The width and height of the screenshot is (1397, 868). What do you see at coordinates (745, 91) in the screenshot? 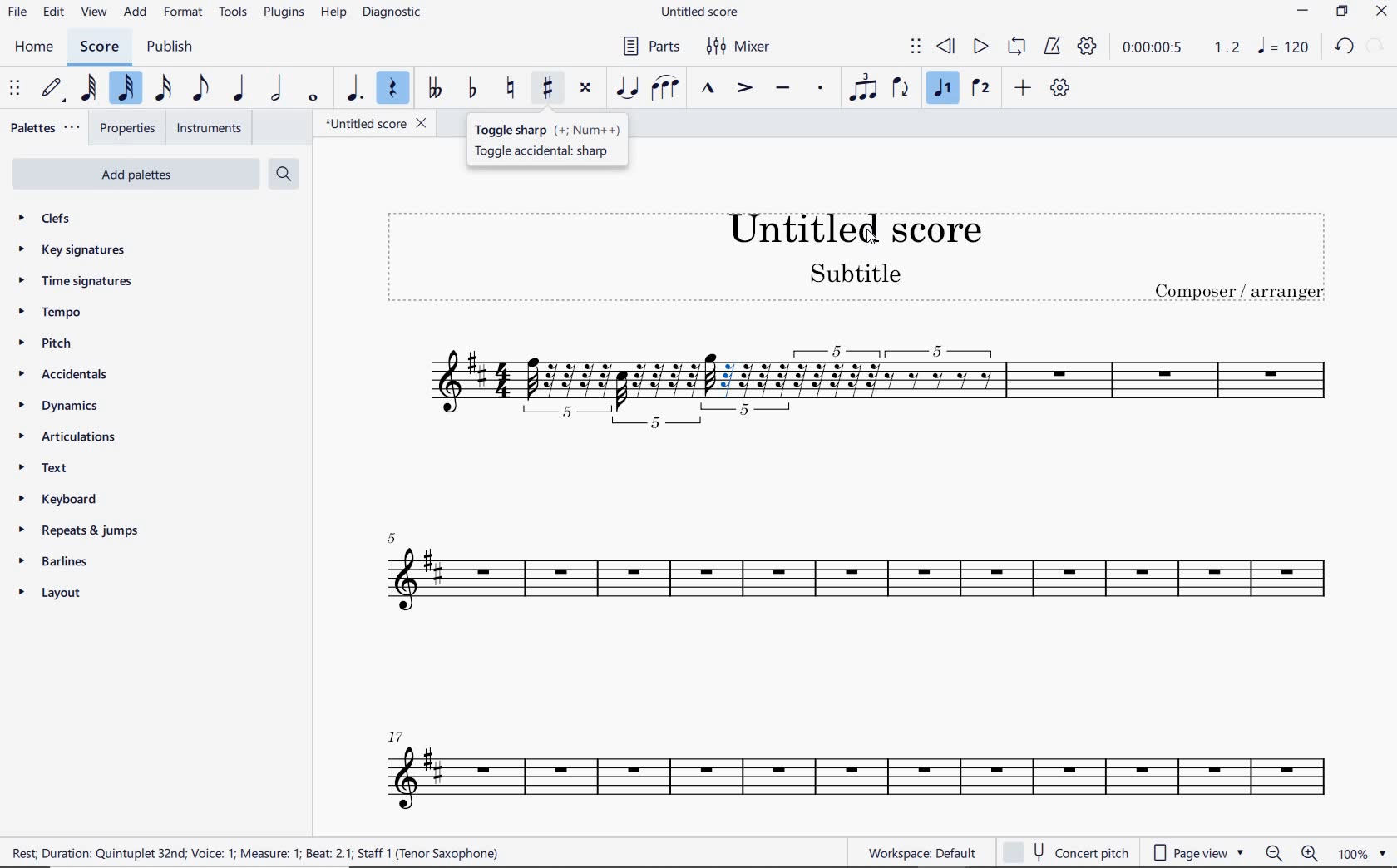
I see `ACCENT` at bounding box center [745, 91].